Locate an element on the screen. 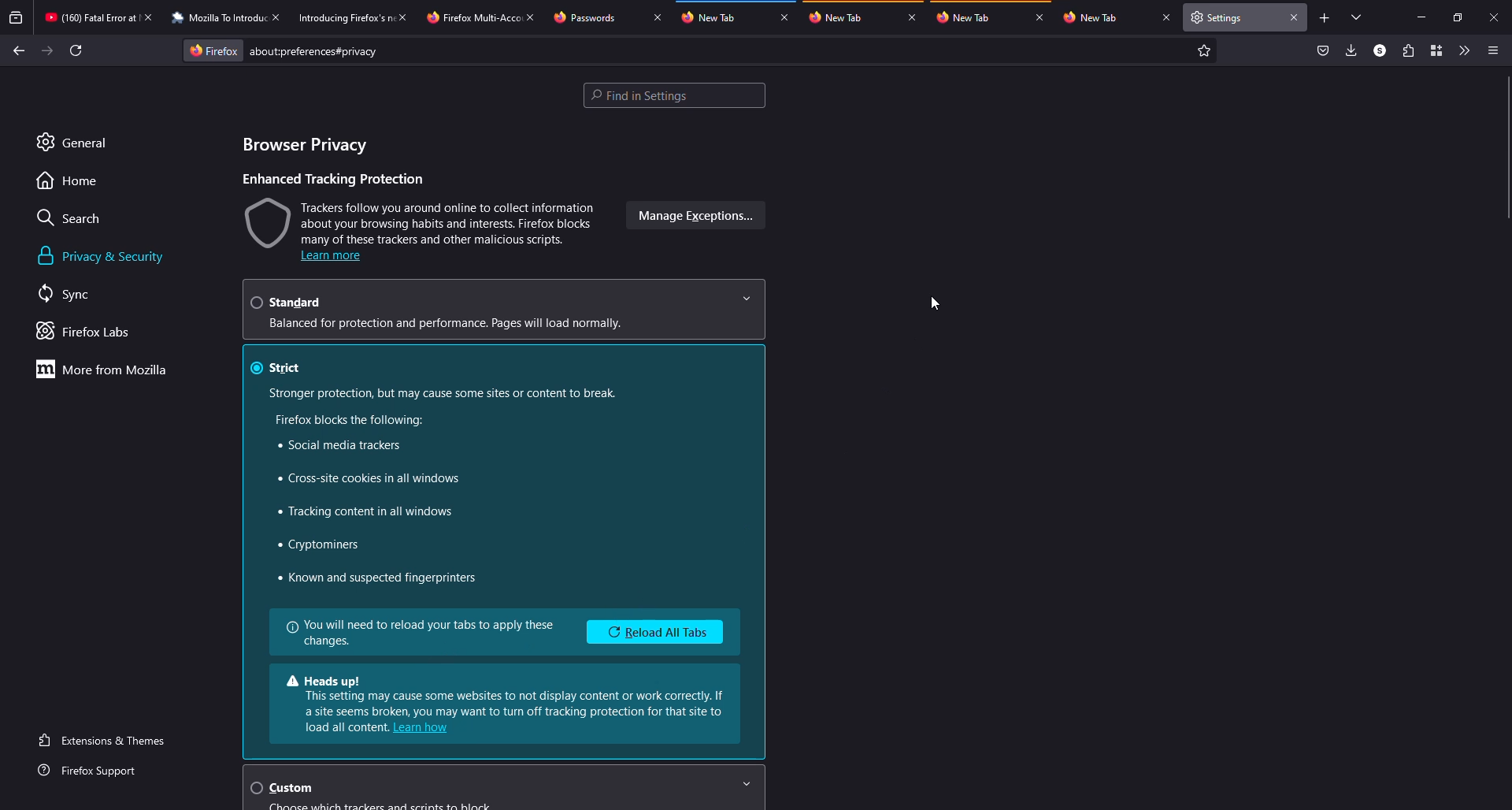  downloads is located at coordinates (1352, 50).